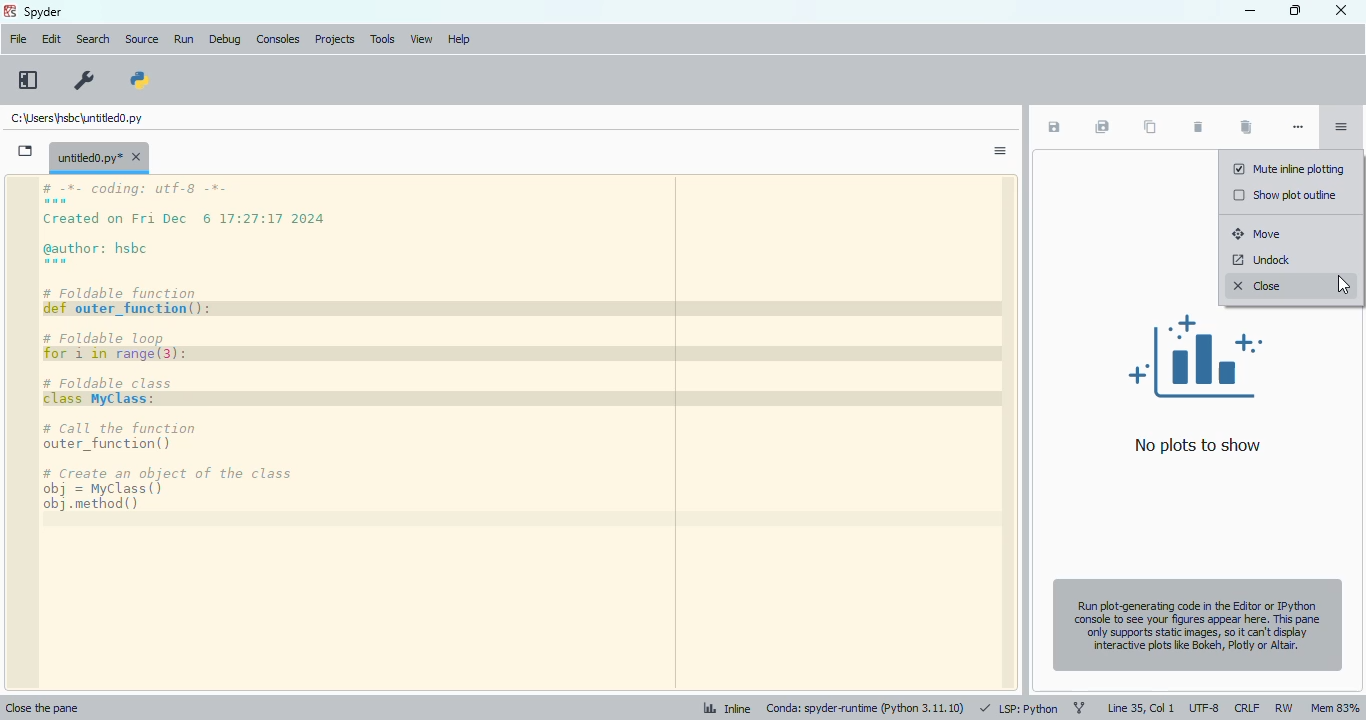  Describe the element at coordinates (99, 156) in the screenshot. I see `untitled0.py` at that location.